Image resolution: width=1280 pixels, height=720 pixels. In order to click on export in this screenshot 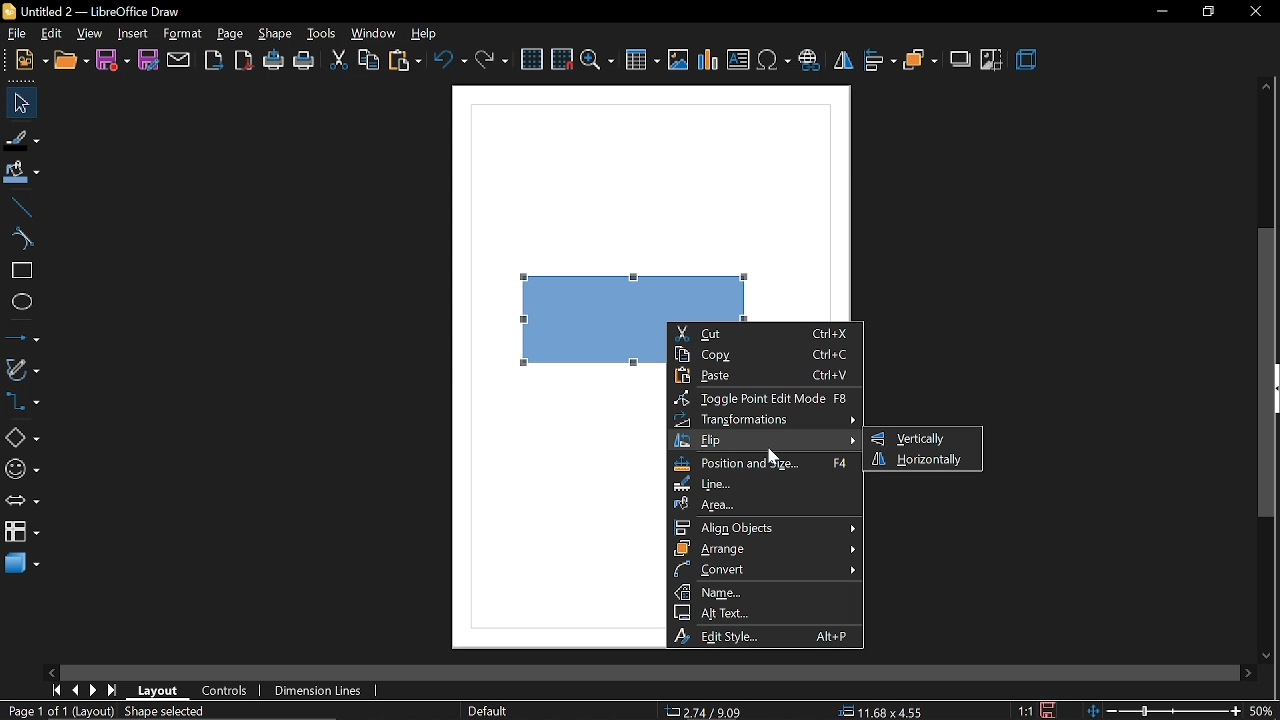, I will do `click(214, 60)`.